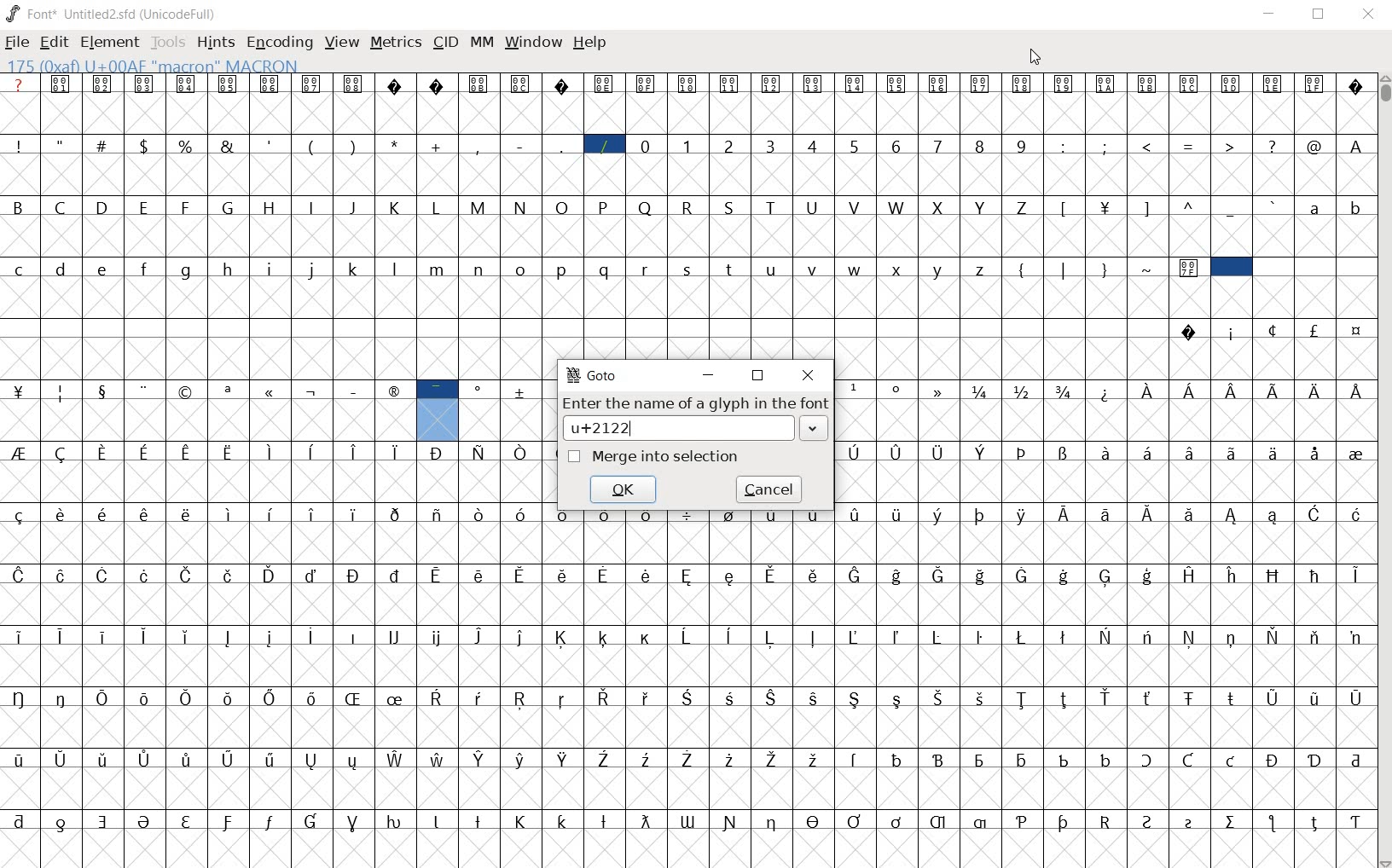  What do you see at coordinates (111, 44) in the screenshot?
I see `ELEMENT` at bounding box center [111, 44].